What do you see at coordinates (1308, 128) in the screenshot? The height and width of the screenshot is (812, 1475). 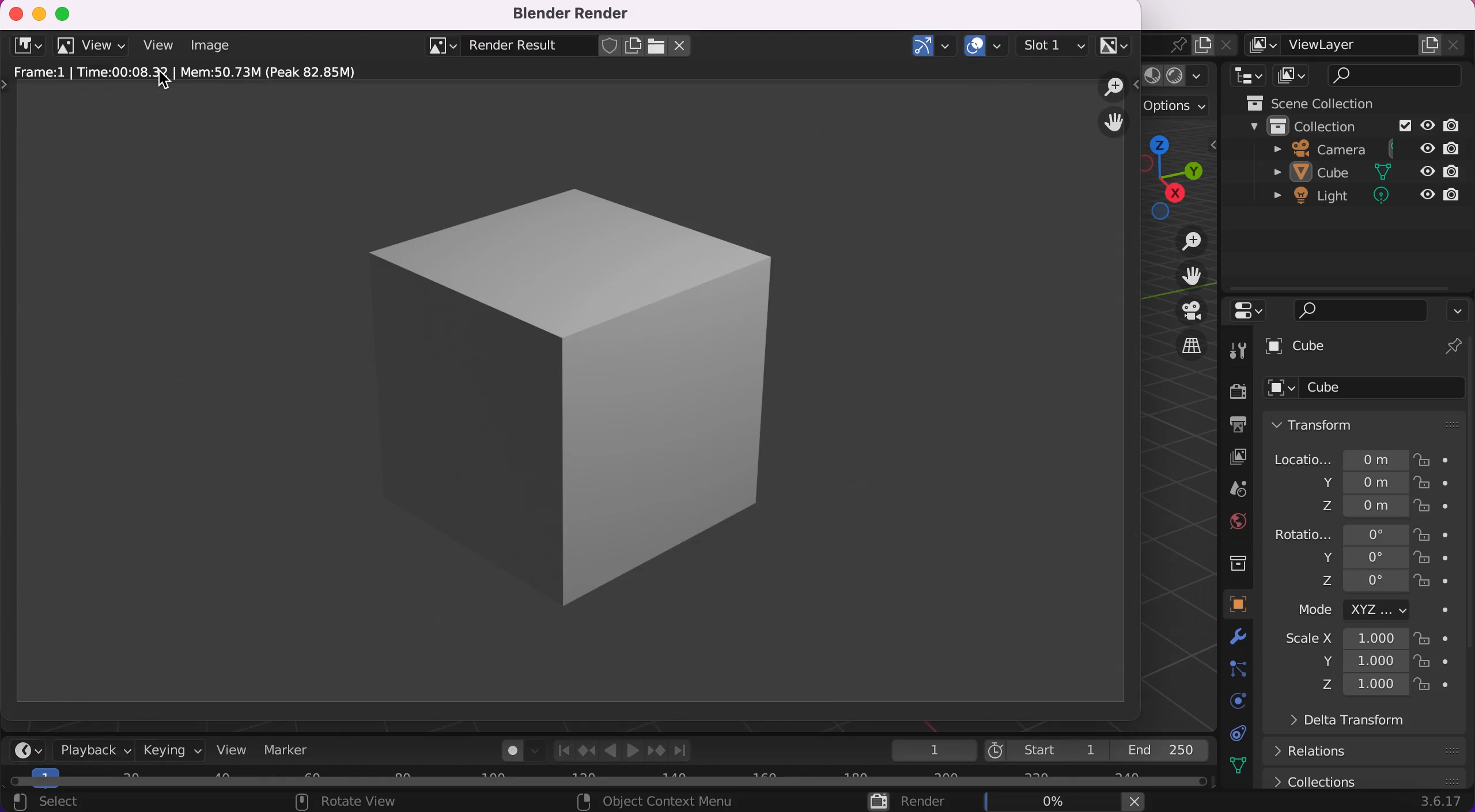 I see `collection` at bounding box center [1308, 128].